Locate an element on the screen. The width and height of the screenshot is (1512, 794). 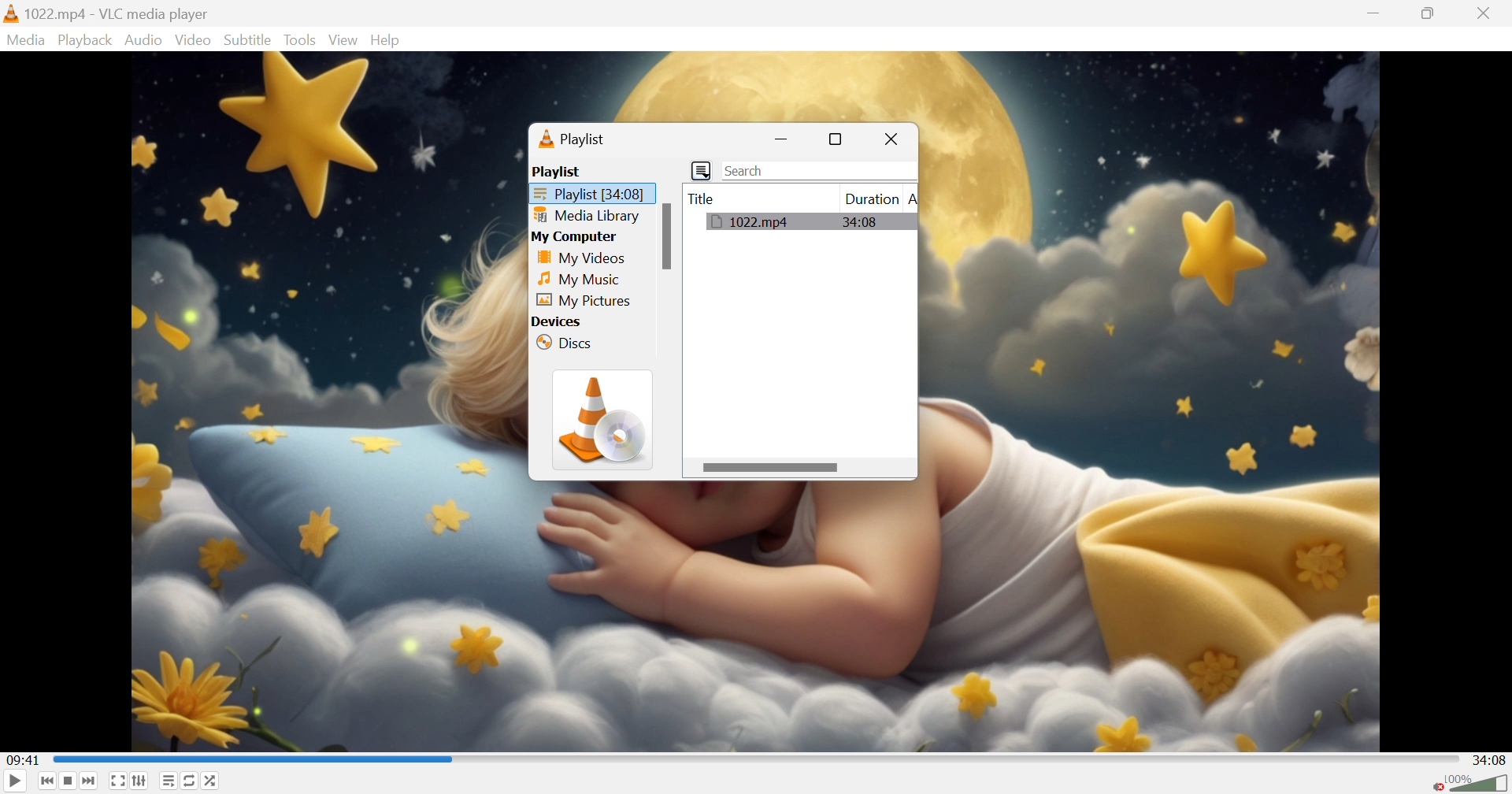
Help is located at coordinates (390, 39).